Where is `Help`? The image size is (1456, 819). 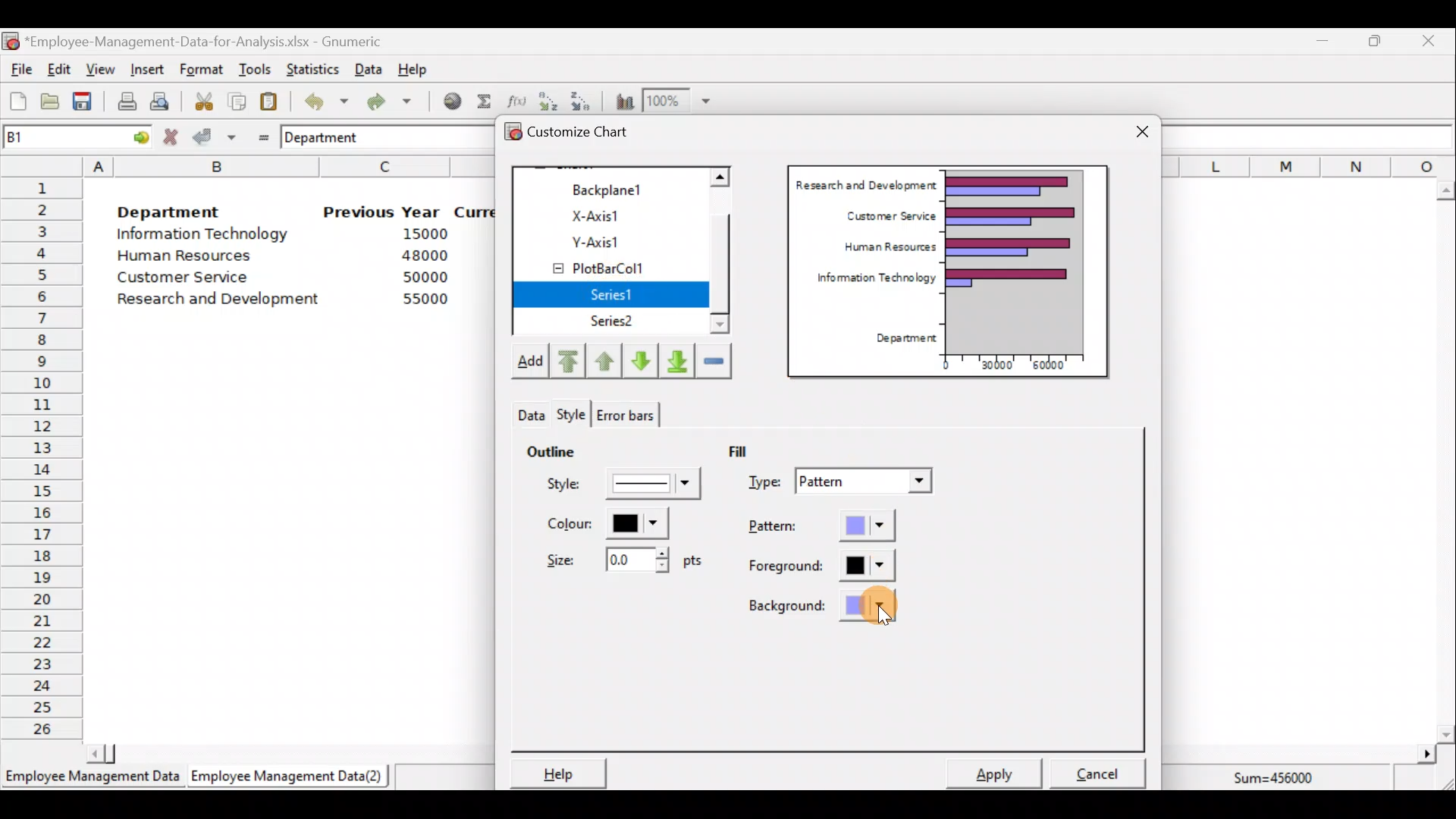 Help is located at coordinates (422, 68).